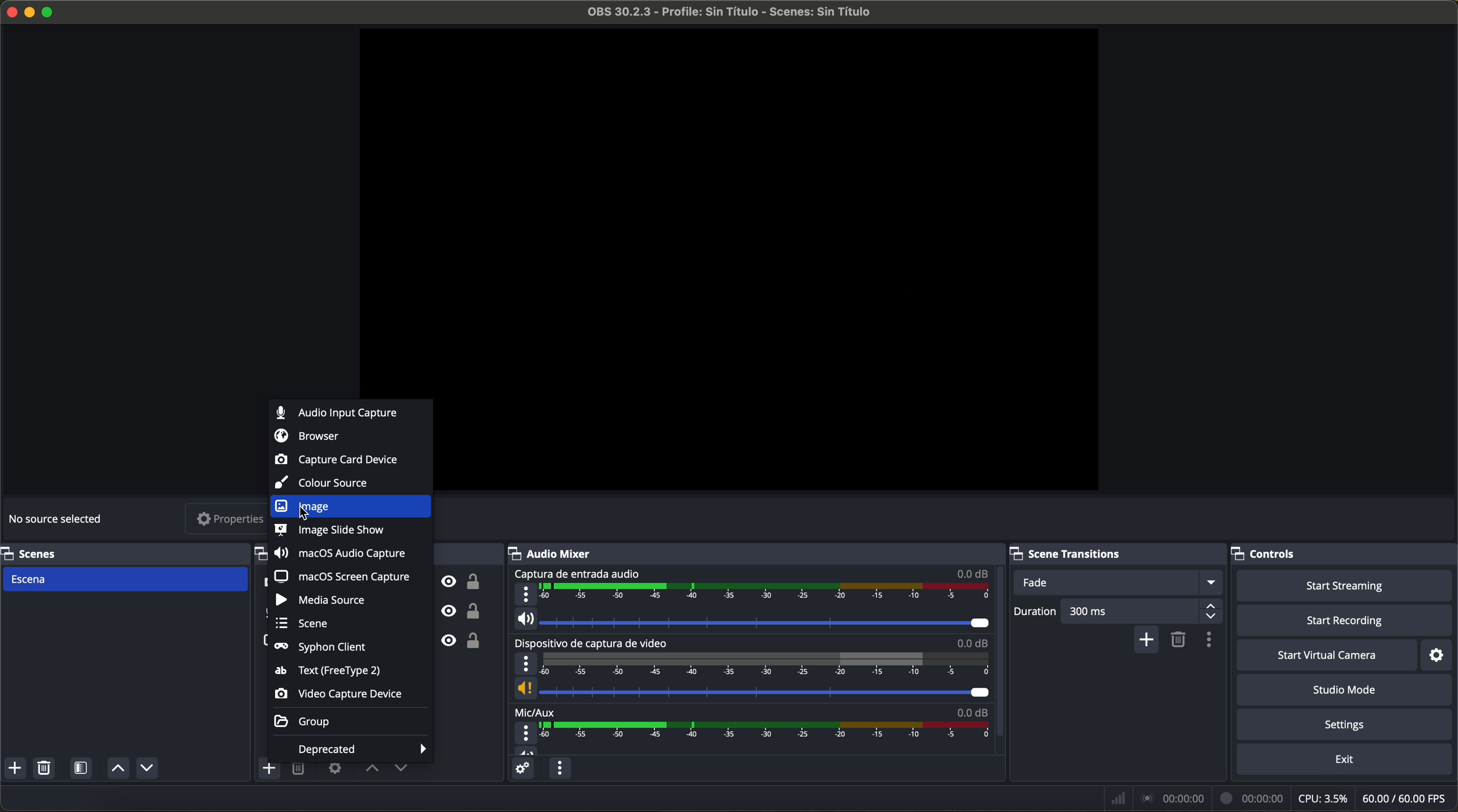 Image resolution: width=1458 pixels, height=812 pixels. Describe the element at coordinates (526, 750) in the screenshot. I see `vol` at that location.